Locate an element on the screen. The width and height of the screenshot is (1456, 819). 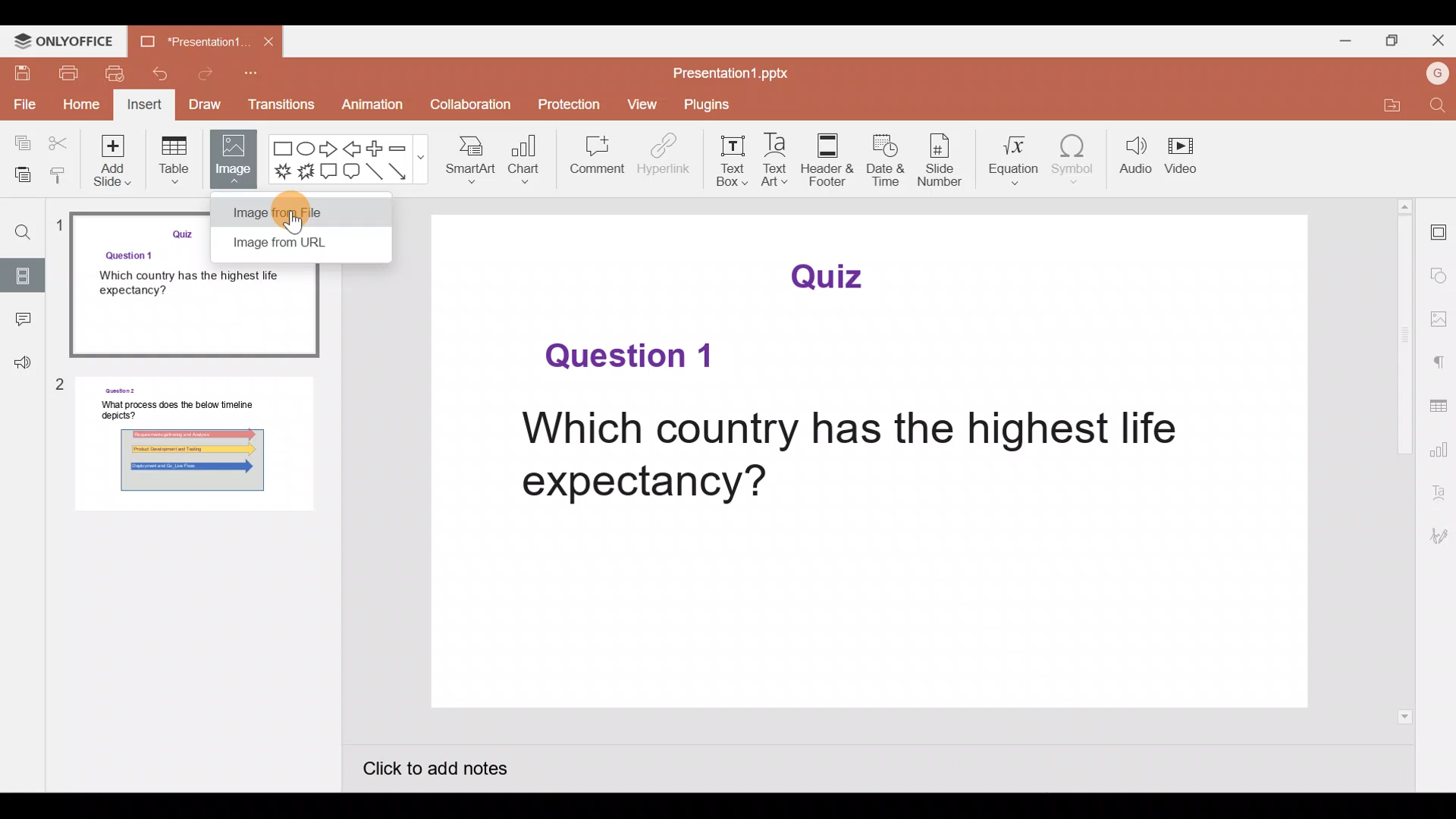
Image settings is located at coordinates (1441, 321).